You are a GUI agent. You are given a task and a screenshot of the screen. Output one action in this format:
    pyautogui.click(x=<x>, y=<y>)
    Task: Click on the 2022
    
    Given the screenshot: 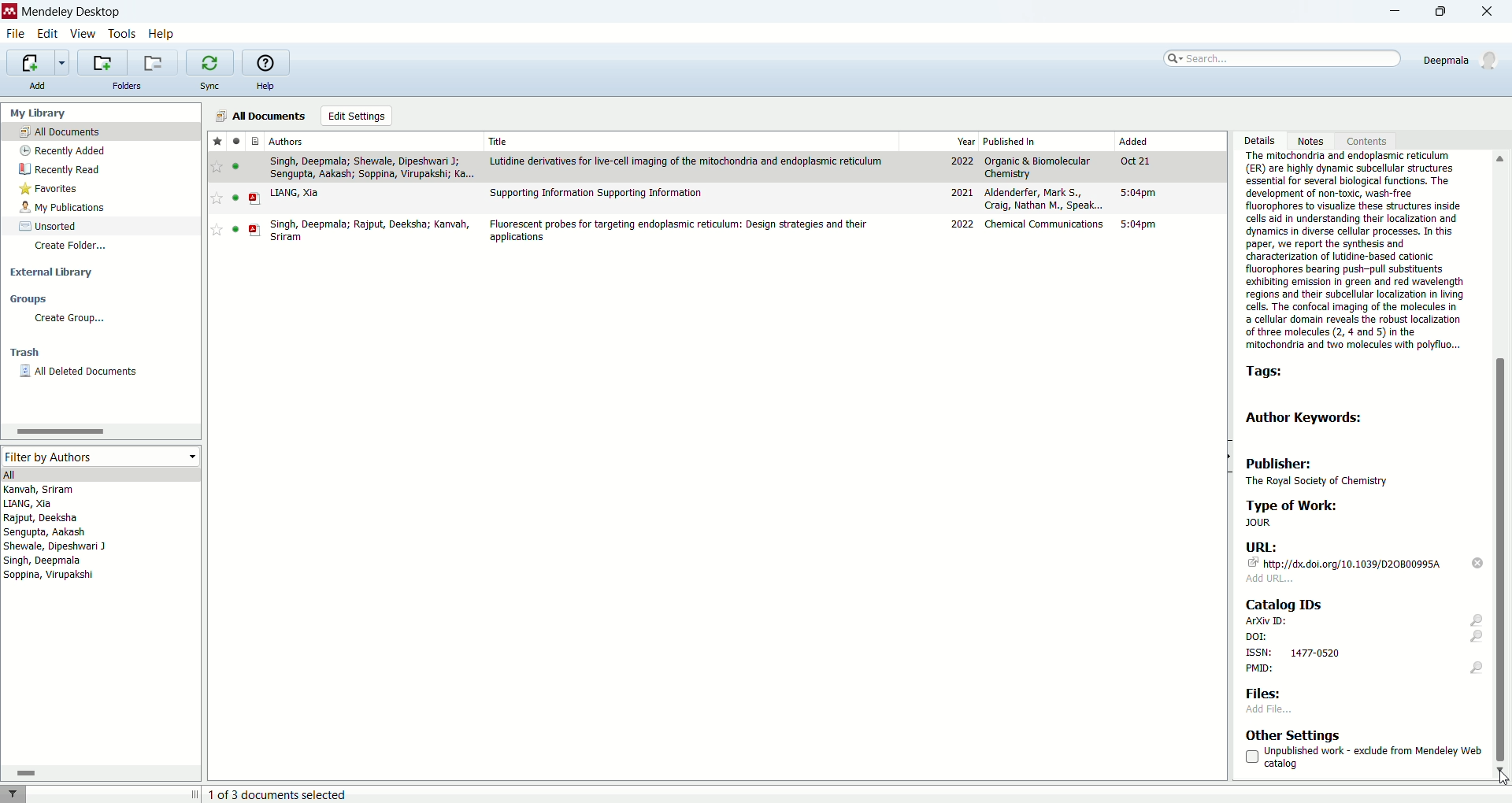 What is the action you would take?
    pyautogui.click(x=962, y=161)
    